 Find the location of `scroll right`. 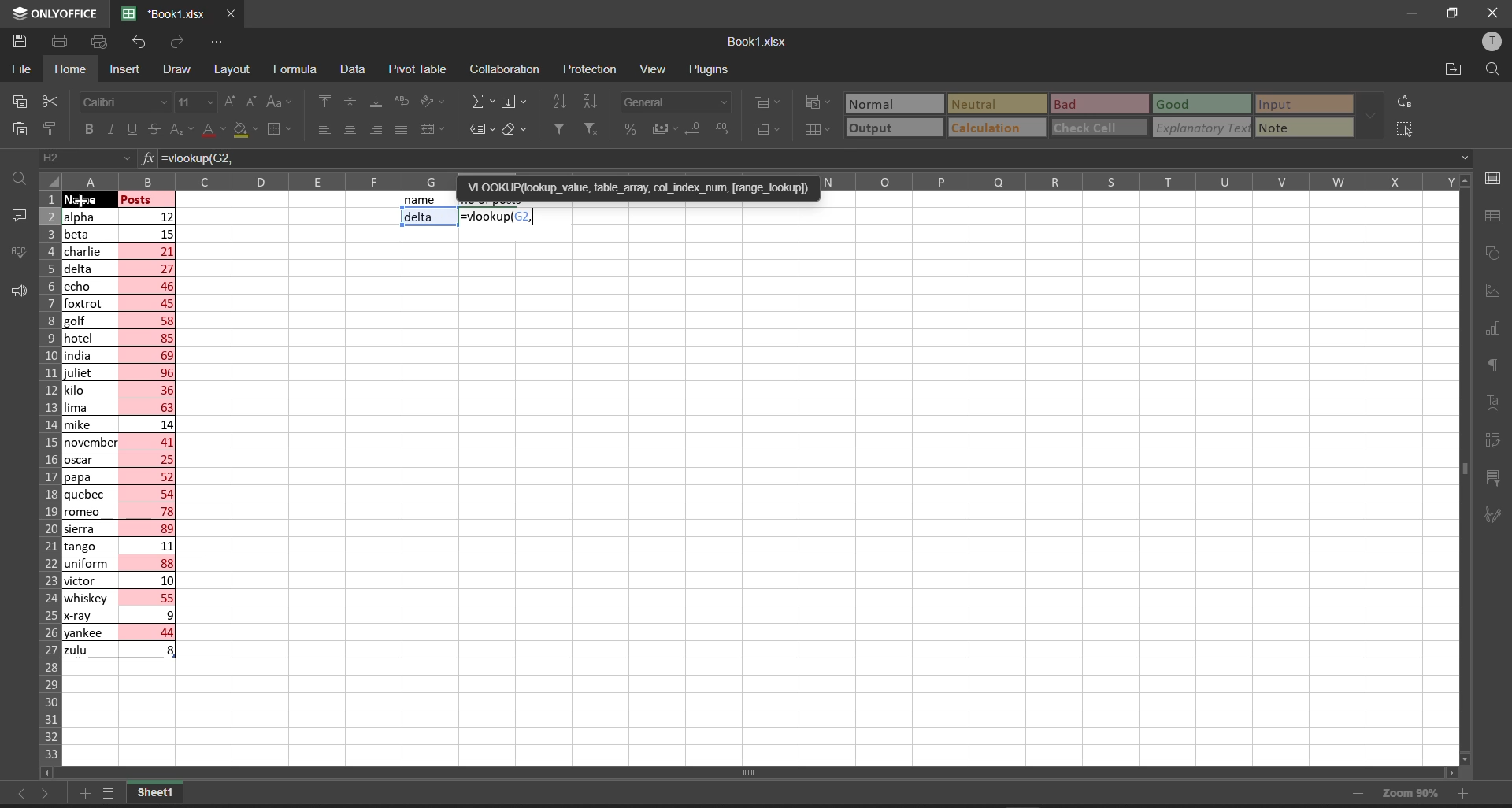

scroll right is located at coordinates (3514, 1876).